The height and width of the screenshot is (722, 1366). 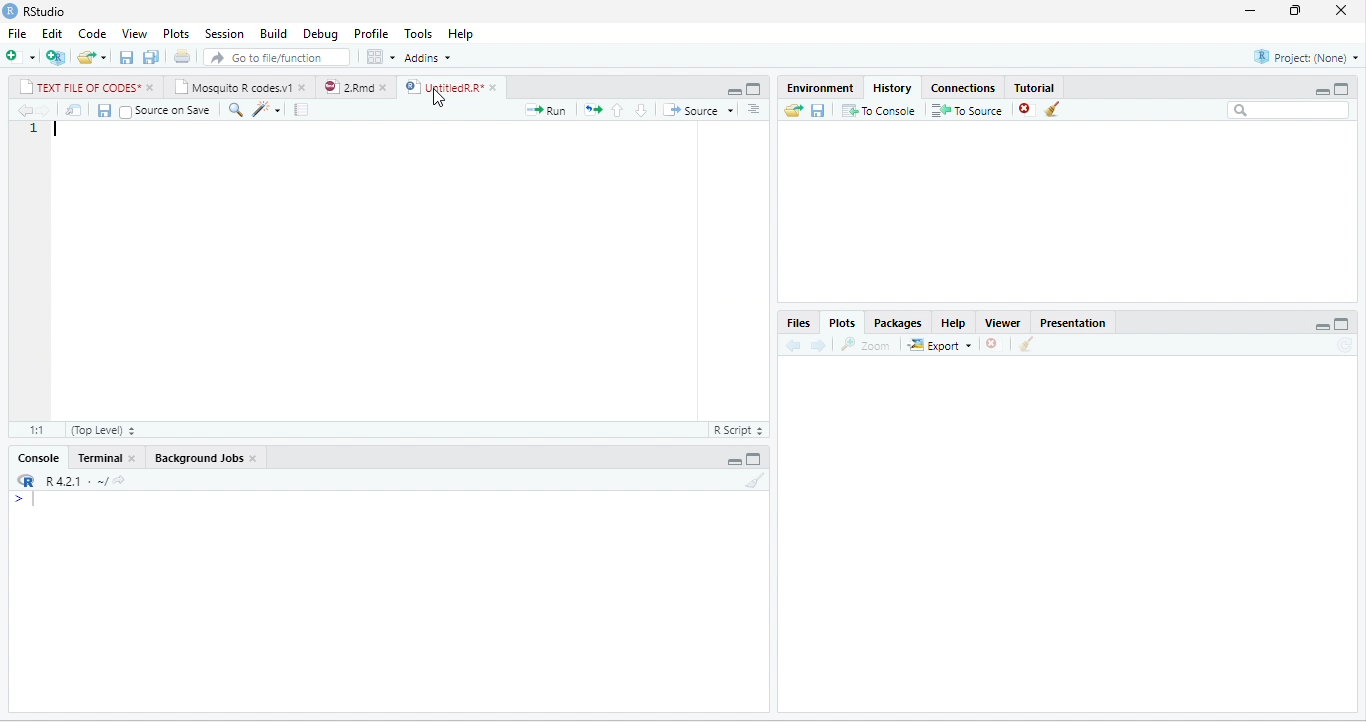 What do you see at coordinates (419, 35) in the screenshot?
I see `Tools` at bounding box center [419, 35].